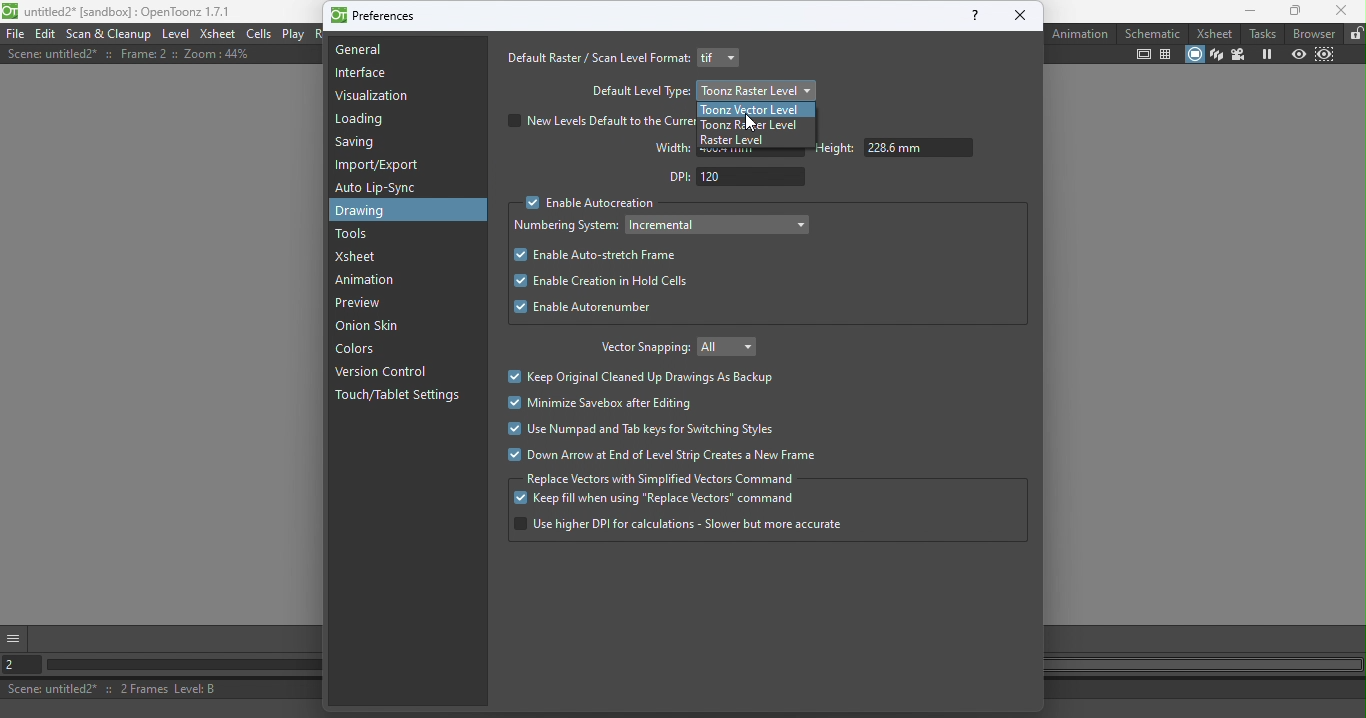 The width and height of the screenshot is (1366, 718). Describe the element at coordinates (595, 283) in the screenshot. I see `Enable creation in hold cells ` at that location.